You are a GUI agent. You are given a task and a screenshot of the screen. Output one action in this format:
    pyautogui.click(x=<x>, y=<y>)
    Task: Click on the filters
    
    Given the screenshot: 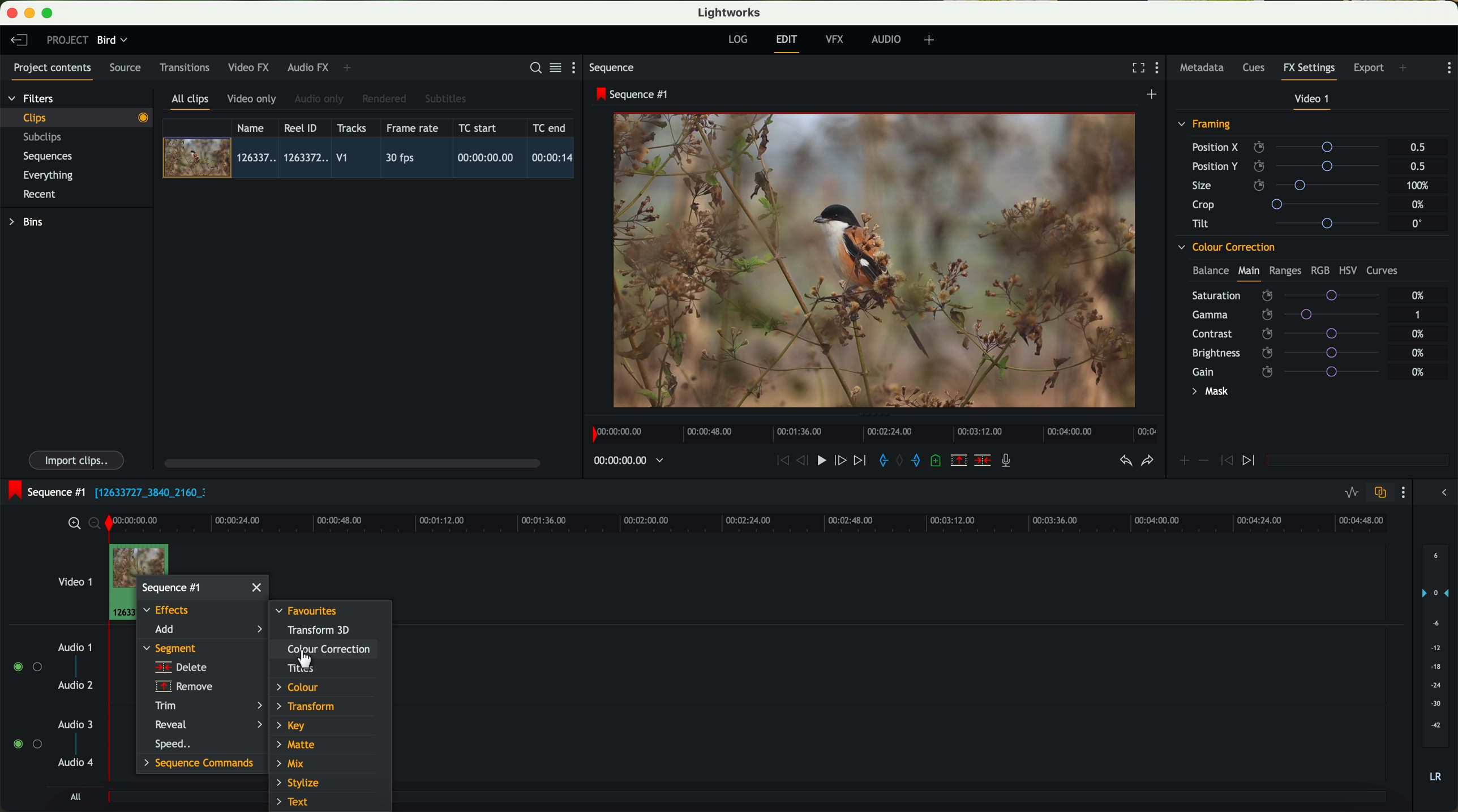 What is the action you would take?
    pyautogui.click(x=32, y=98)
    